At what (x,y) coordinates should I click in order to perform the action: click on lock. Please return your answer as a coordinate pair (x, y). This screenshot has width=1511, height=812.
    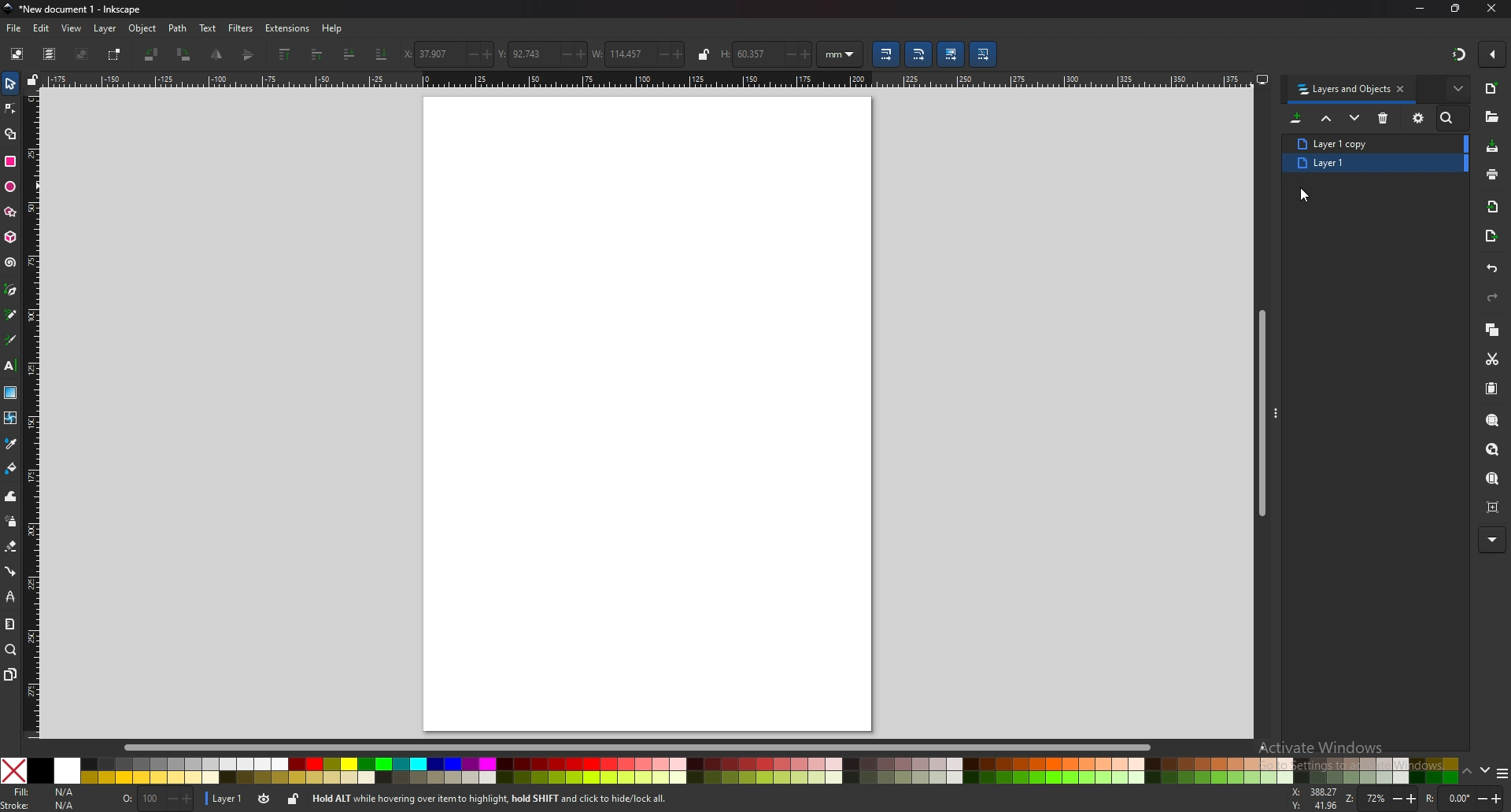
    Looking at the image, I should click on (293, 799).